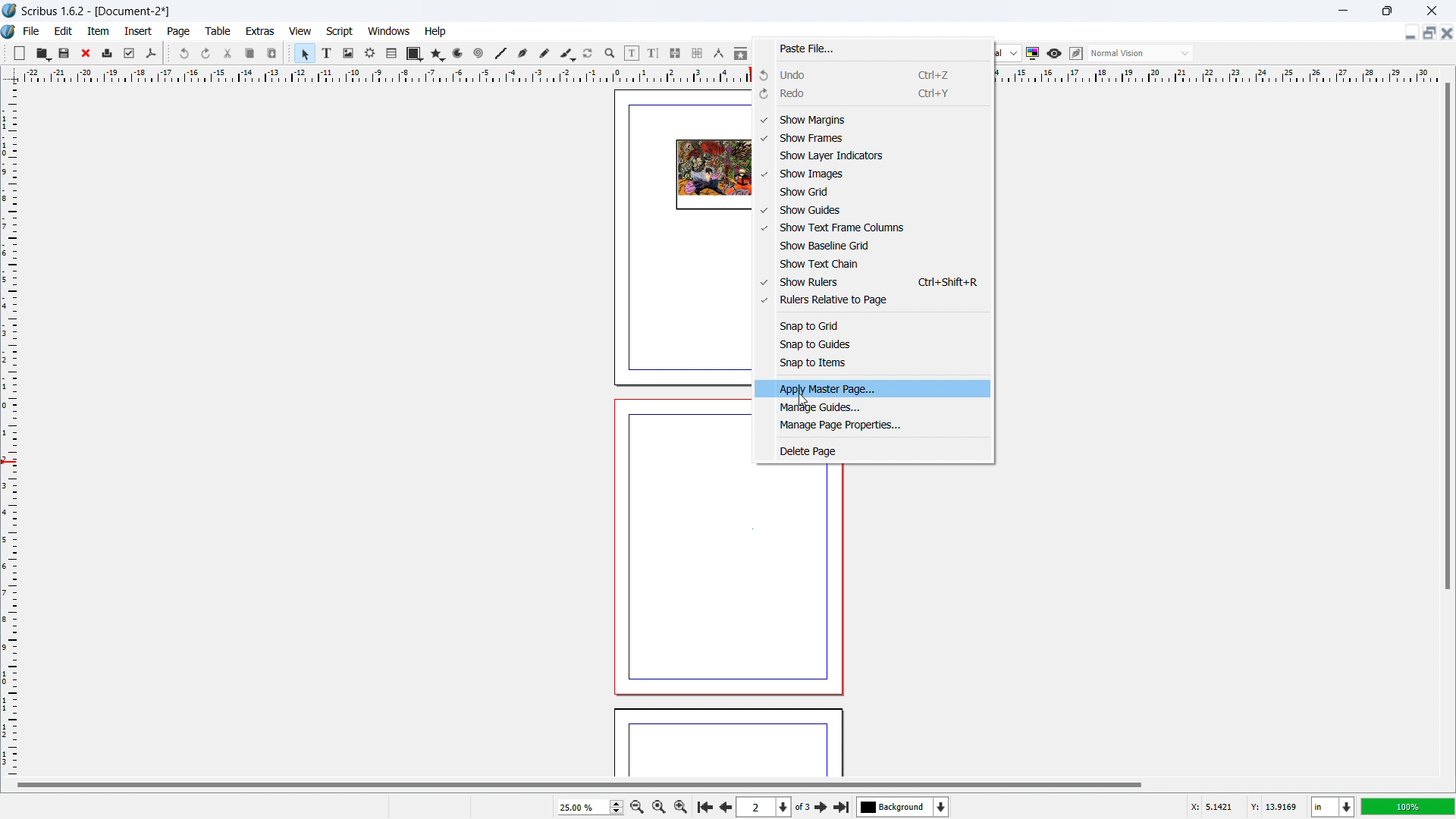  What do you see at coordinates (140, 31) in the screenshot?
I see `insert` at bounding box center [140, 31].